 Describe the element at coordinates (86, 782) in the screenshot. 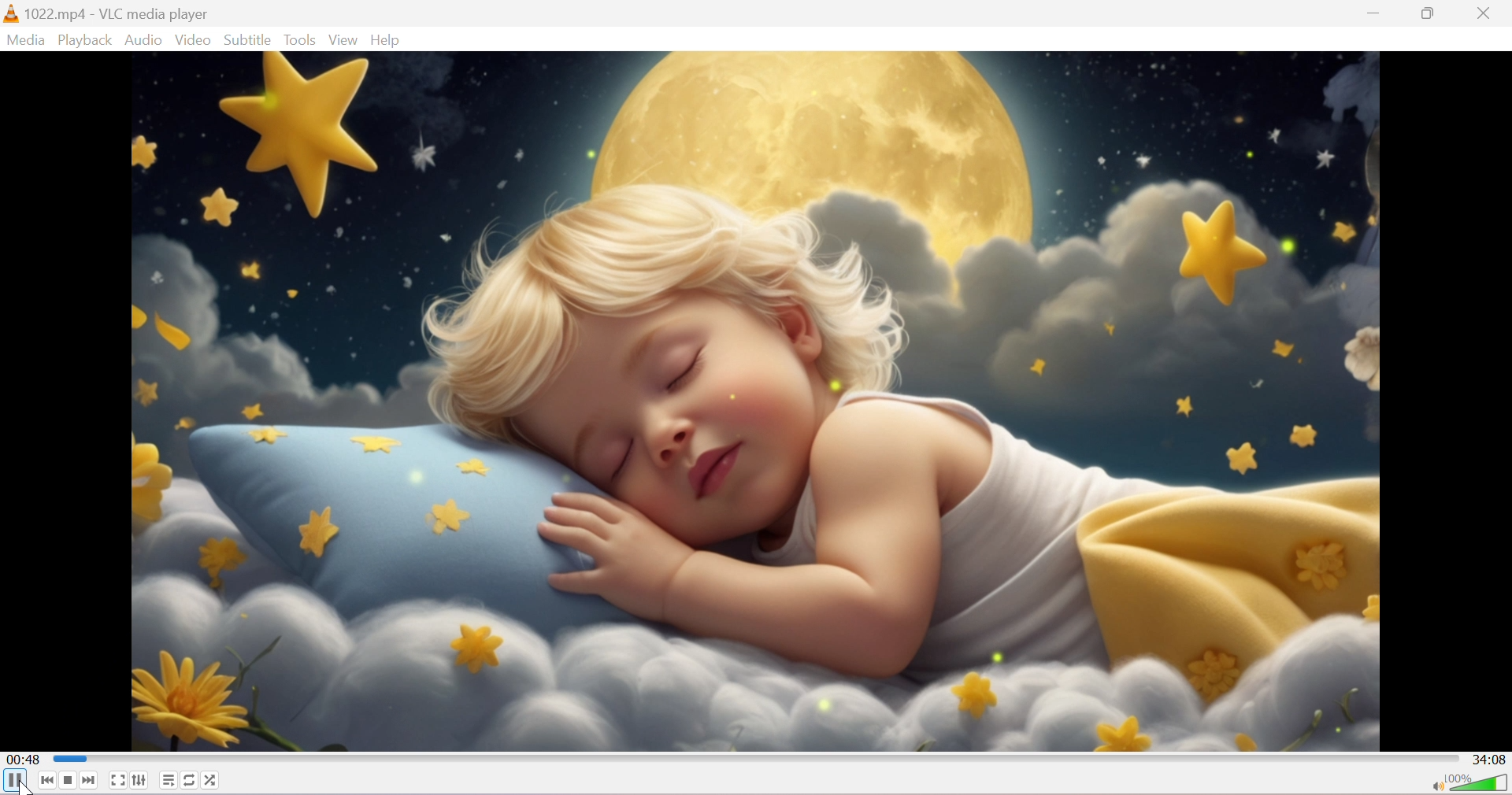

I see `Next media in the playlist` at that location.